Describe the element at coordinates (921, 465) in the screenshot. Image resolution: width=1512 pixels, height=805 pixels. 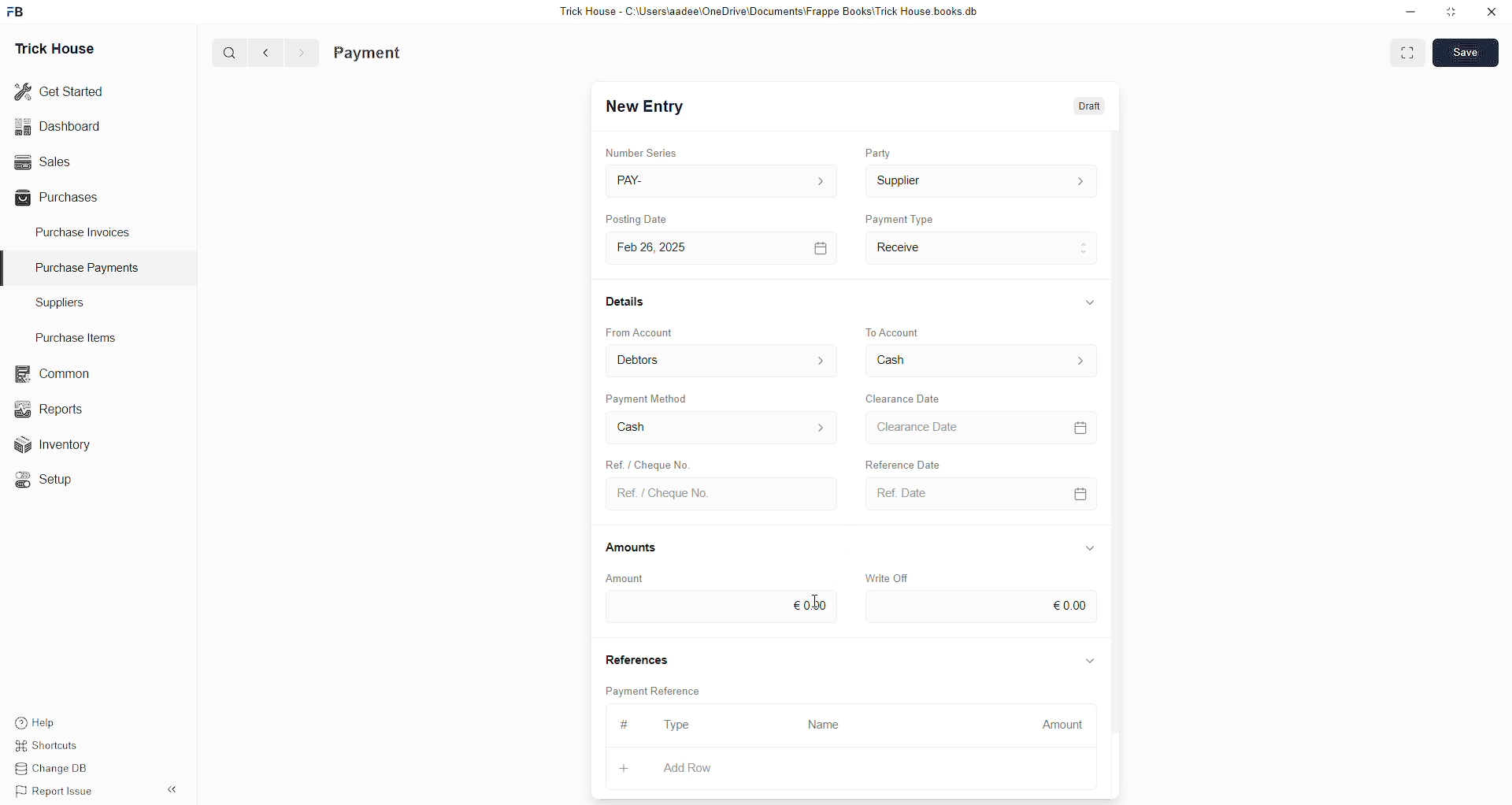
I see `Reference Date` at that location.